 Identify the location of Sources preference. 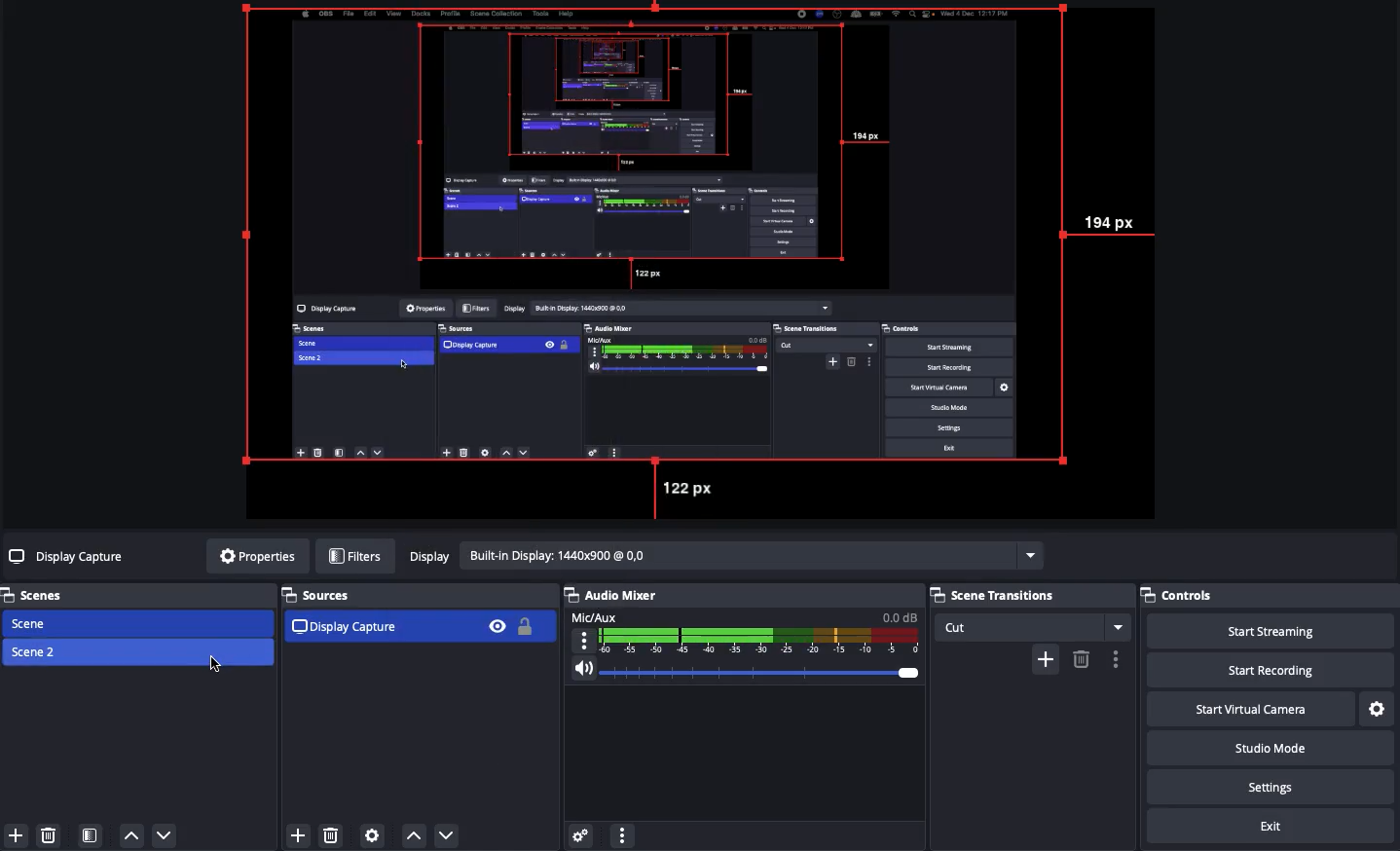
(373, 832).